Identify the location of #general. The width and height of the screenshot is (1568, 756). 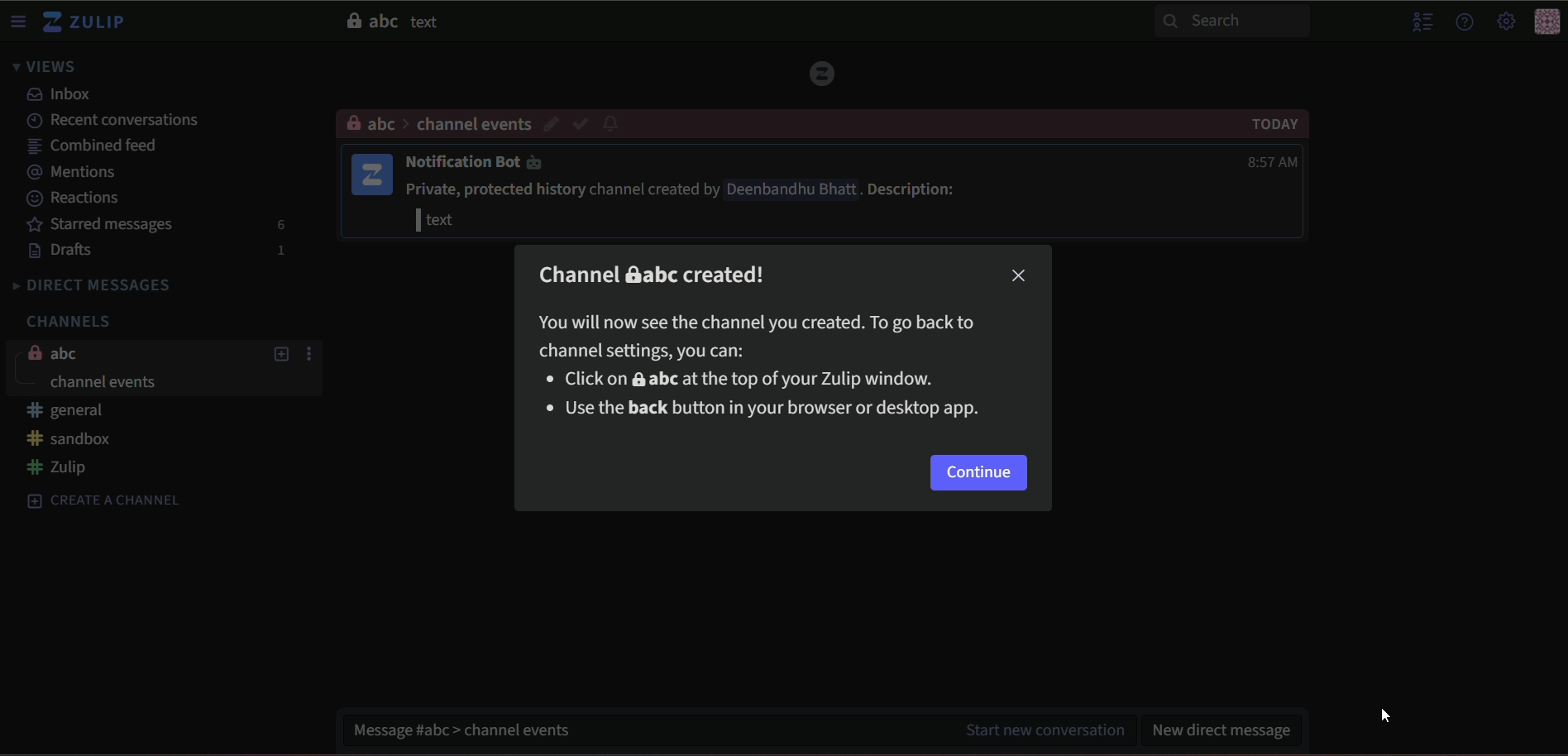
(74, 411).